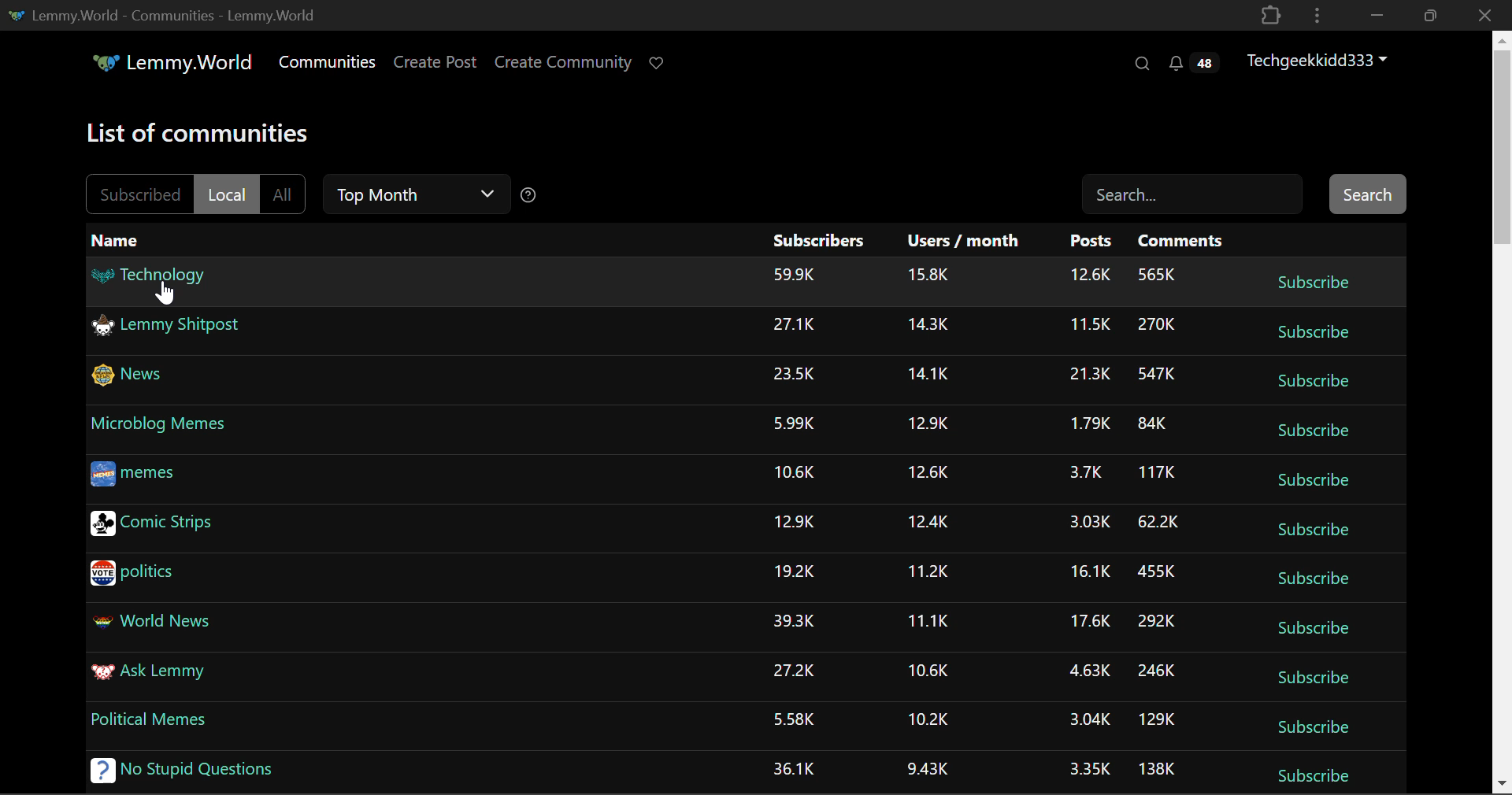 This screenshot has width=1512, height=795. Describe the element at coordinates (157, 625) in the screenshot. I see `World News` at that location.